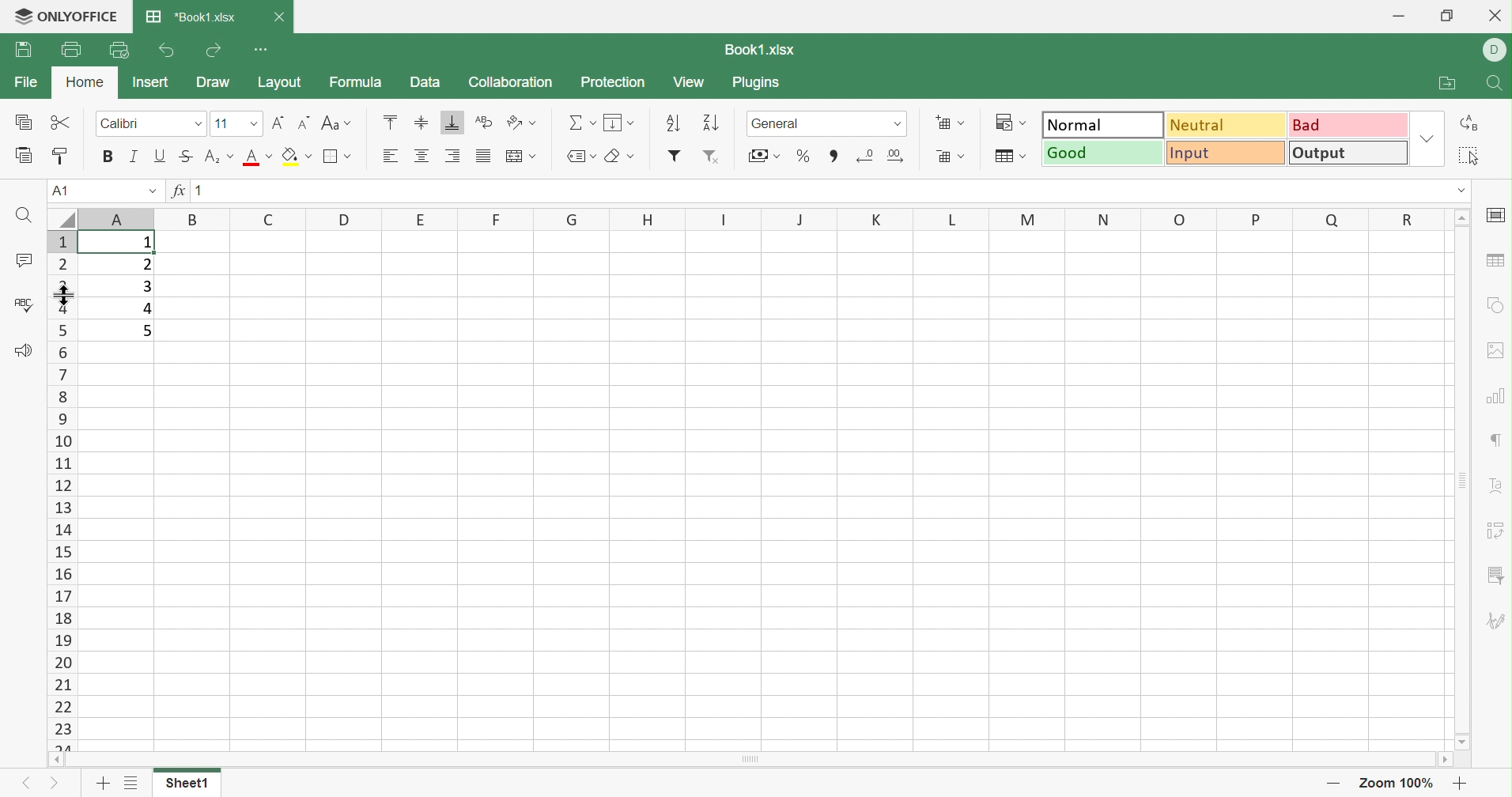  Describe the element at coordinates (61, 123) in the screenshot. I see `Cut` at that location.